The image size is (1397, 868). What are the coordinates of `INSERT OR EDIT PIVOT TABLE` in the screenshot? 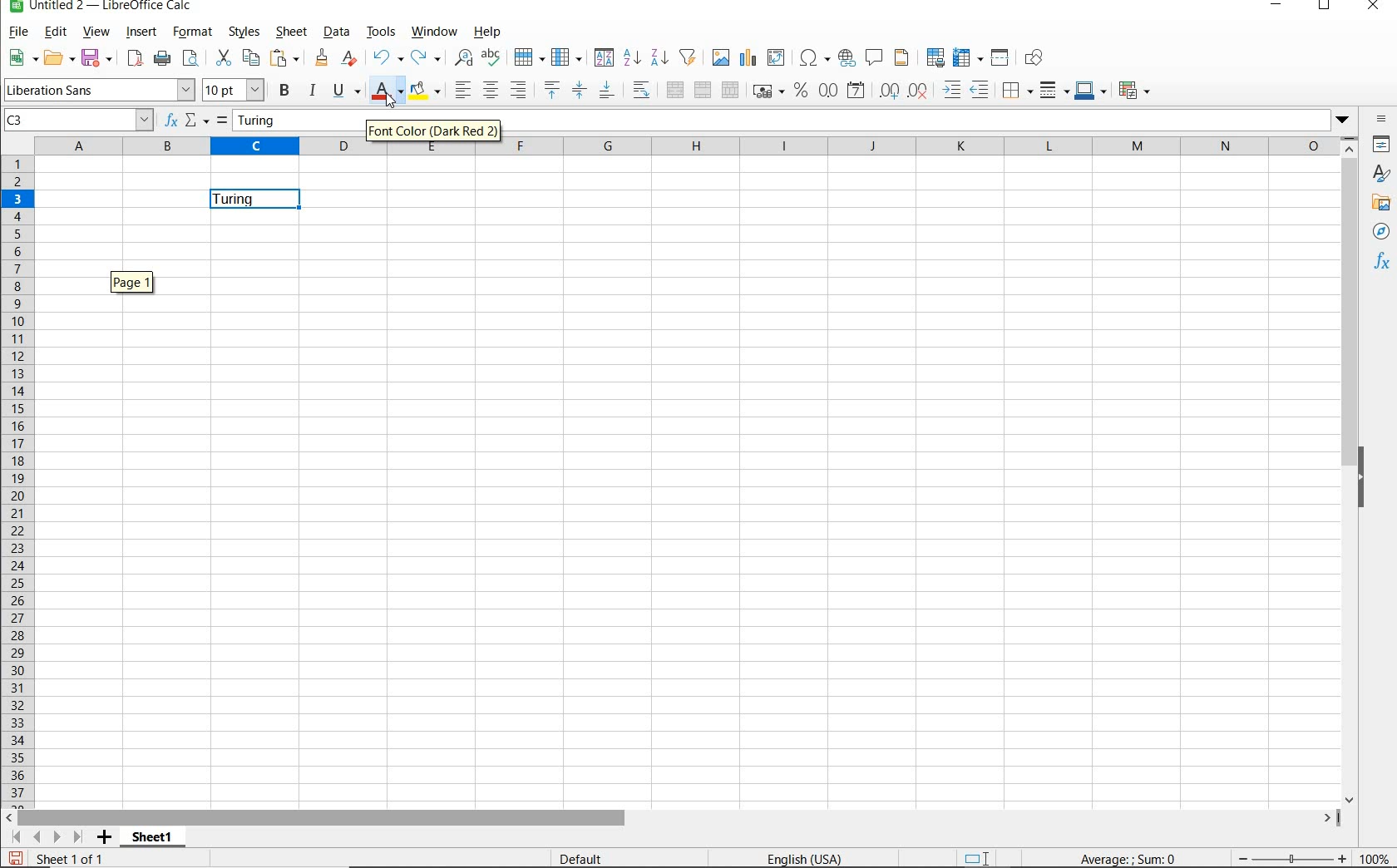 It's located at (777, 57).